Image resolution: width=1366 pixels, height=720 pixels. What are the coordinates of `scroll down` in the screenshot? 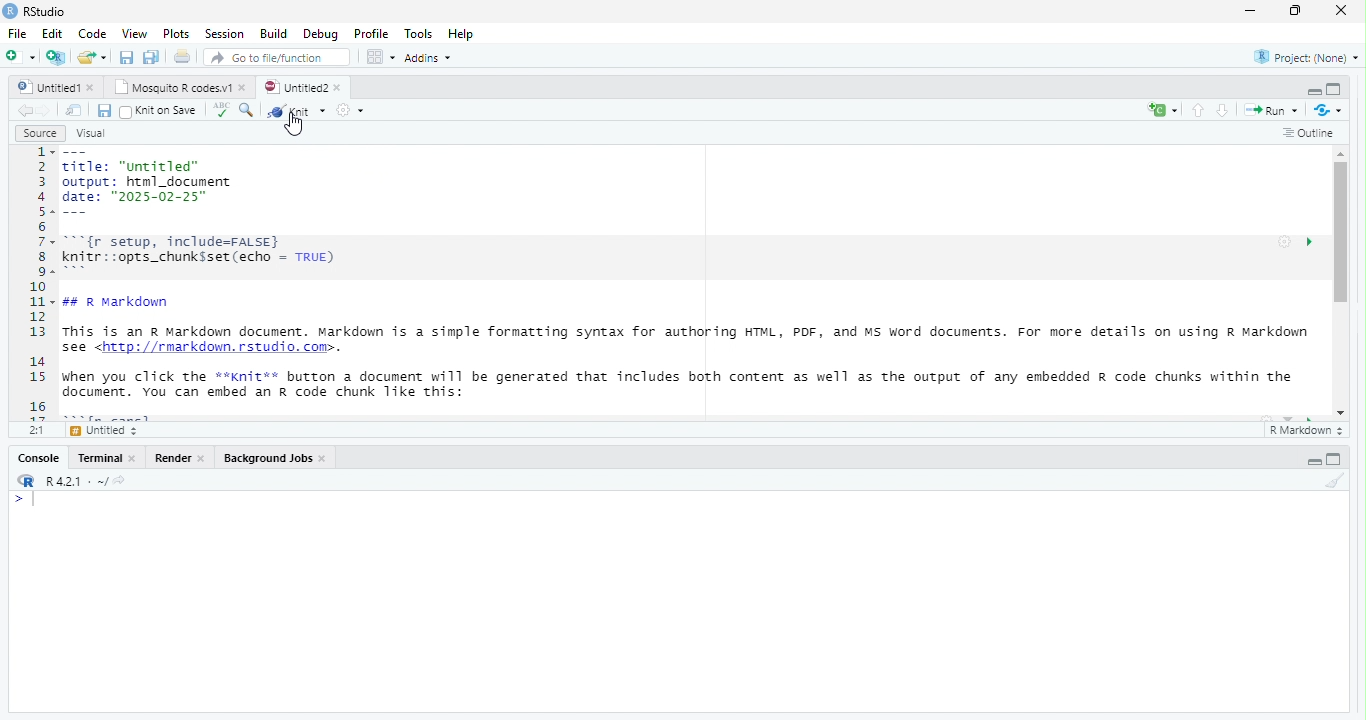 It's located at (1342, 413).